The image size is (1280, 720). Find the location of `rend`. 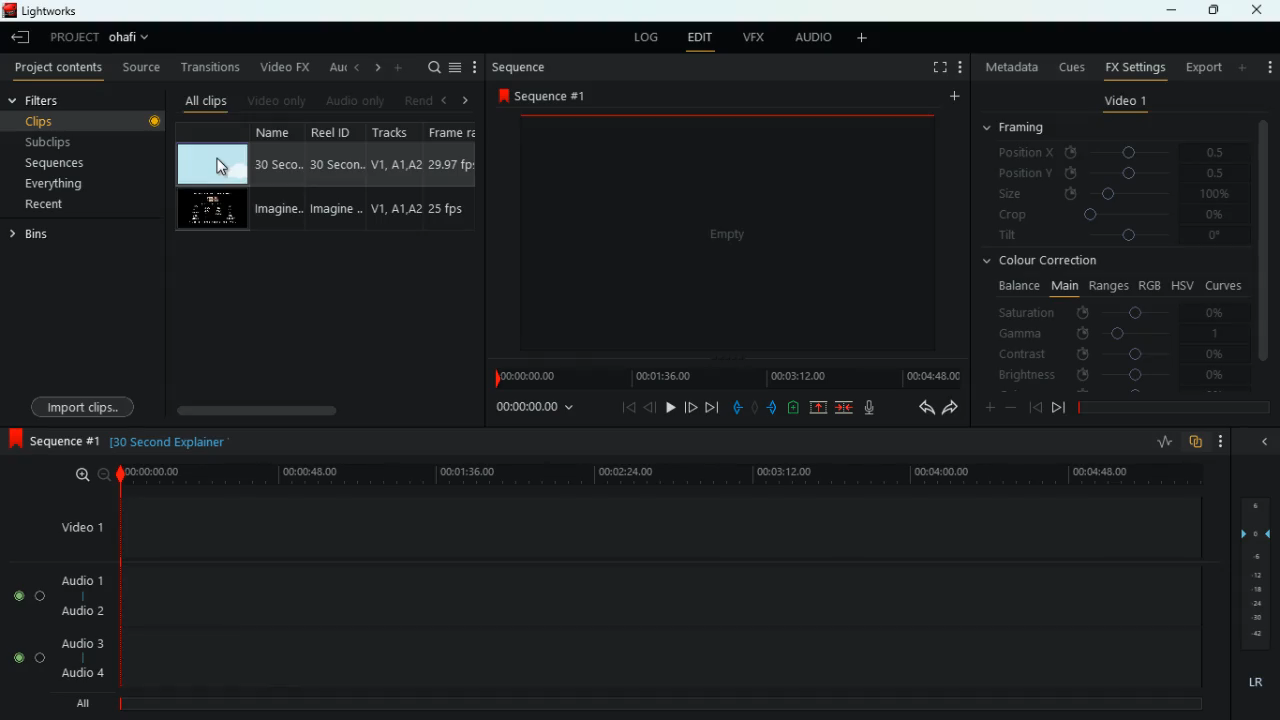

rend is located at coordinates (416, 99).